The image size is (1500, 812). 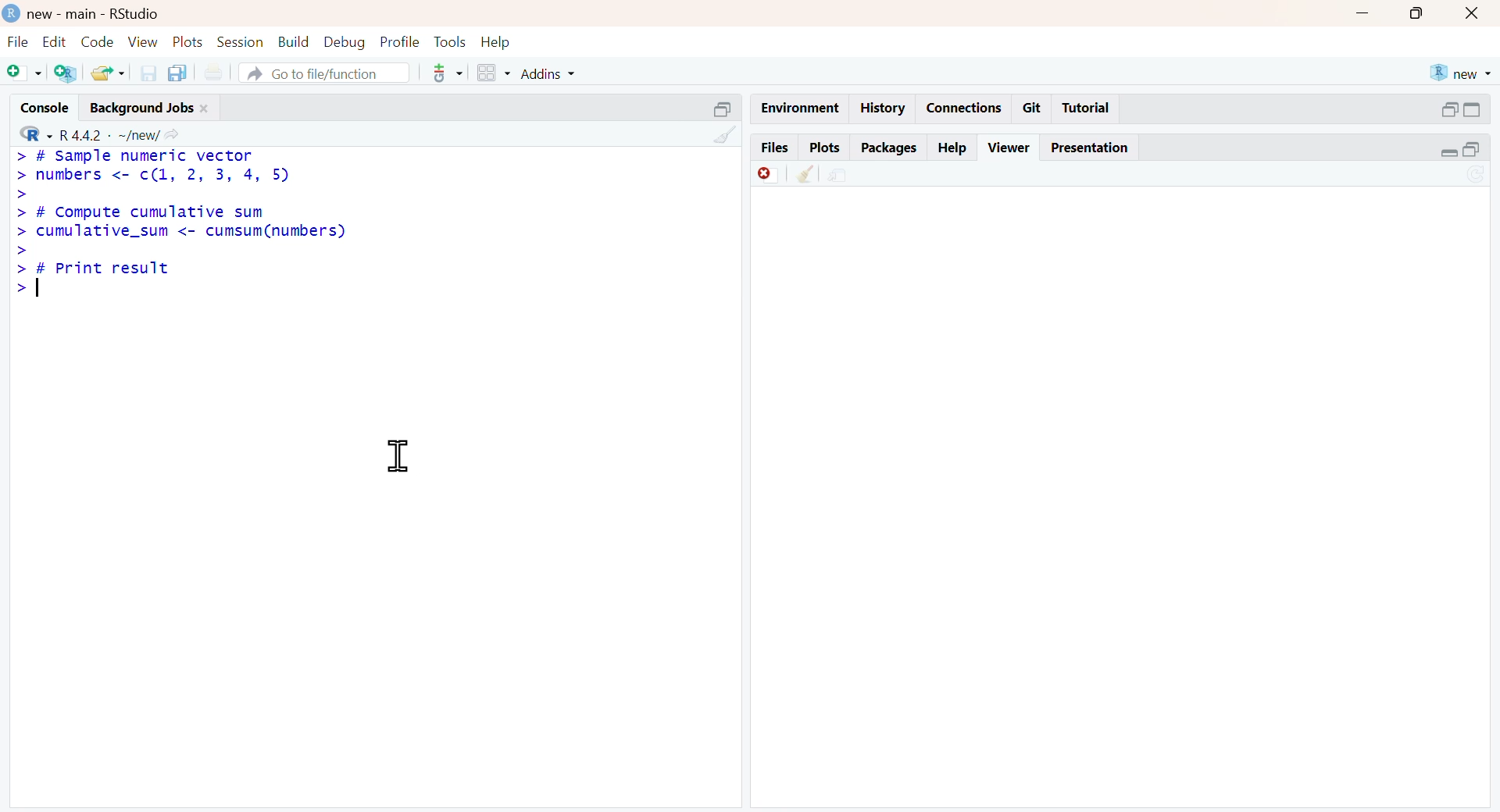 What do you see at coordinates (109, 135) in the screenshot?
I see `R 4.4.2 ~/new/` at bounding box center [109, 135].